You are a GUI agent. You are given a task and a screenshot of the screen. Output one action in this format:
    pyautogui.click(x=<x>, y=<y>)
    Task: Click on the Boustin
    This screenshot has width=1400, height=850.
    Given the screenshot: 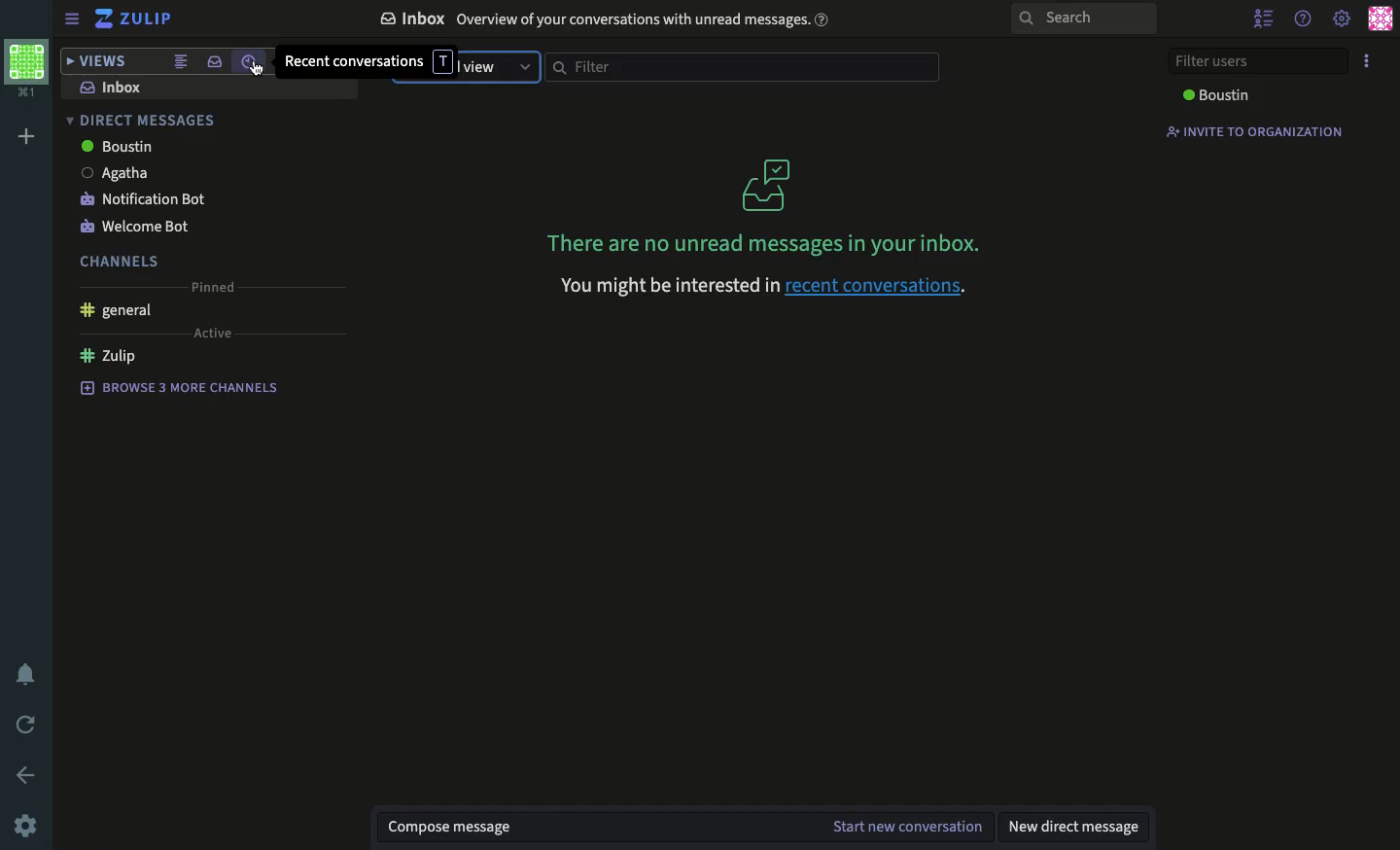 What is the action you would take?
    pyautogui.click(x=120, y=146)
    